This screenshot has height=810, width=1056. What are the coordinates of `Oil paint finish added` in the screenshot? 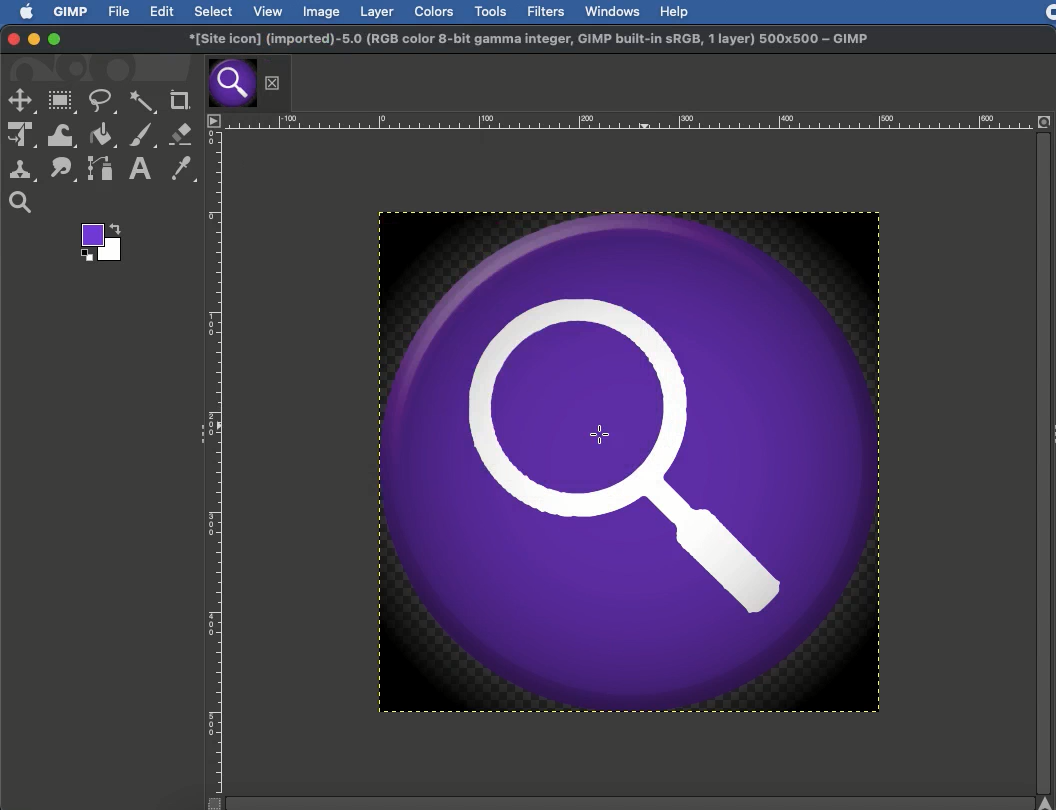 It's located at (627, 461).